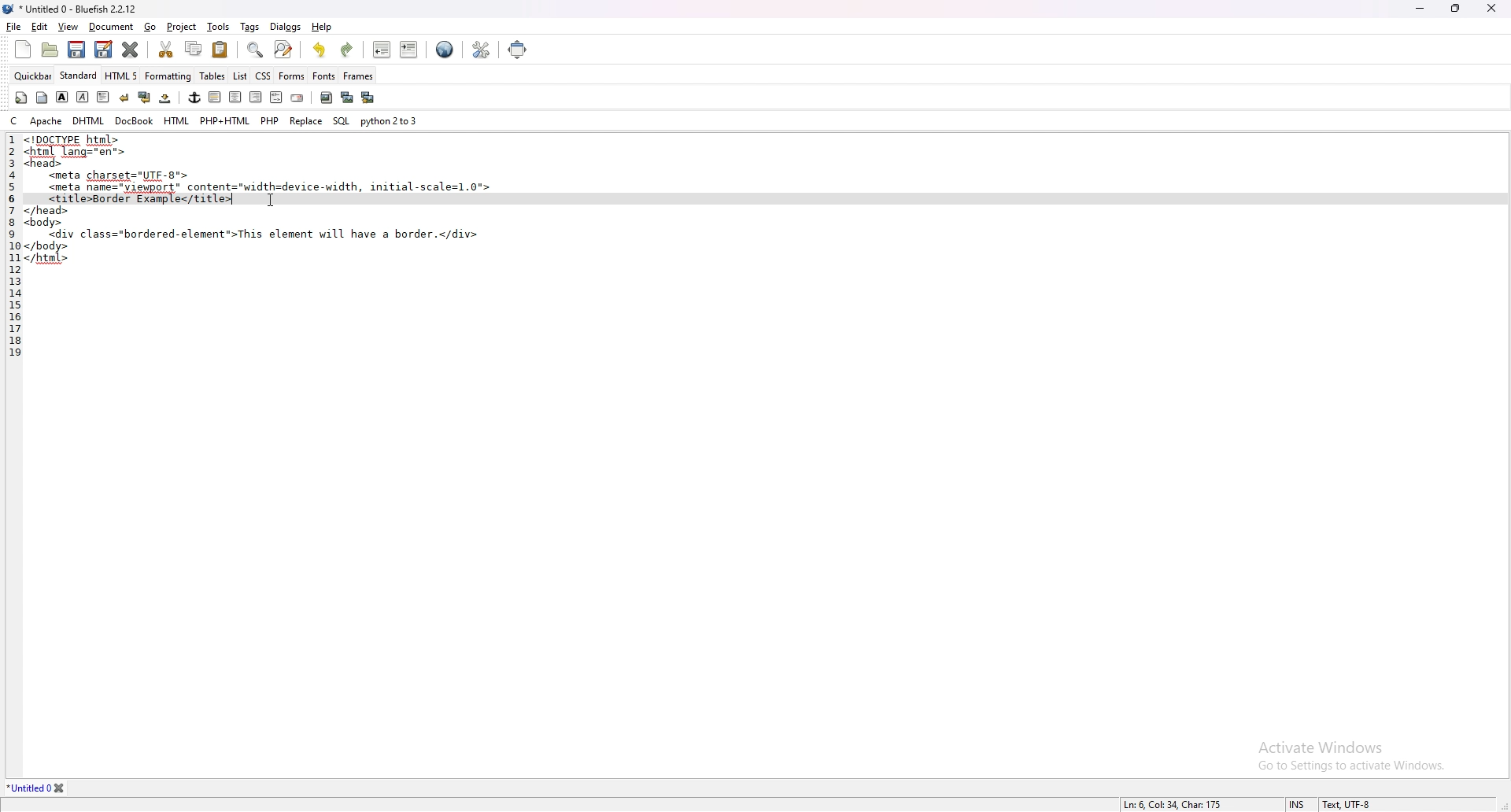 The height and width of the screenshot is (812, 1511). What do you see at coordinates (90, 120) in the screenshot?
I see `dhtml` at bounding box center [90, 120].